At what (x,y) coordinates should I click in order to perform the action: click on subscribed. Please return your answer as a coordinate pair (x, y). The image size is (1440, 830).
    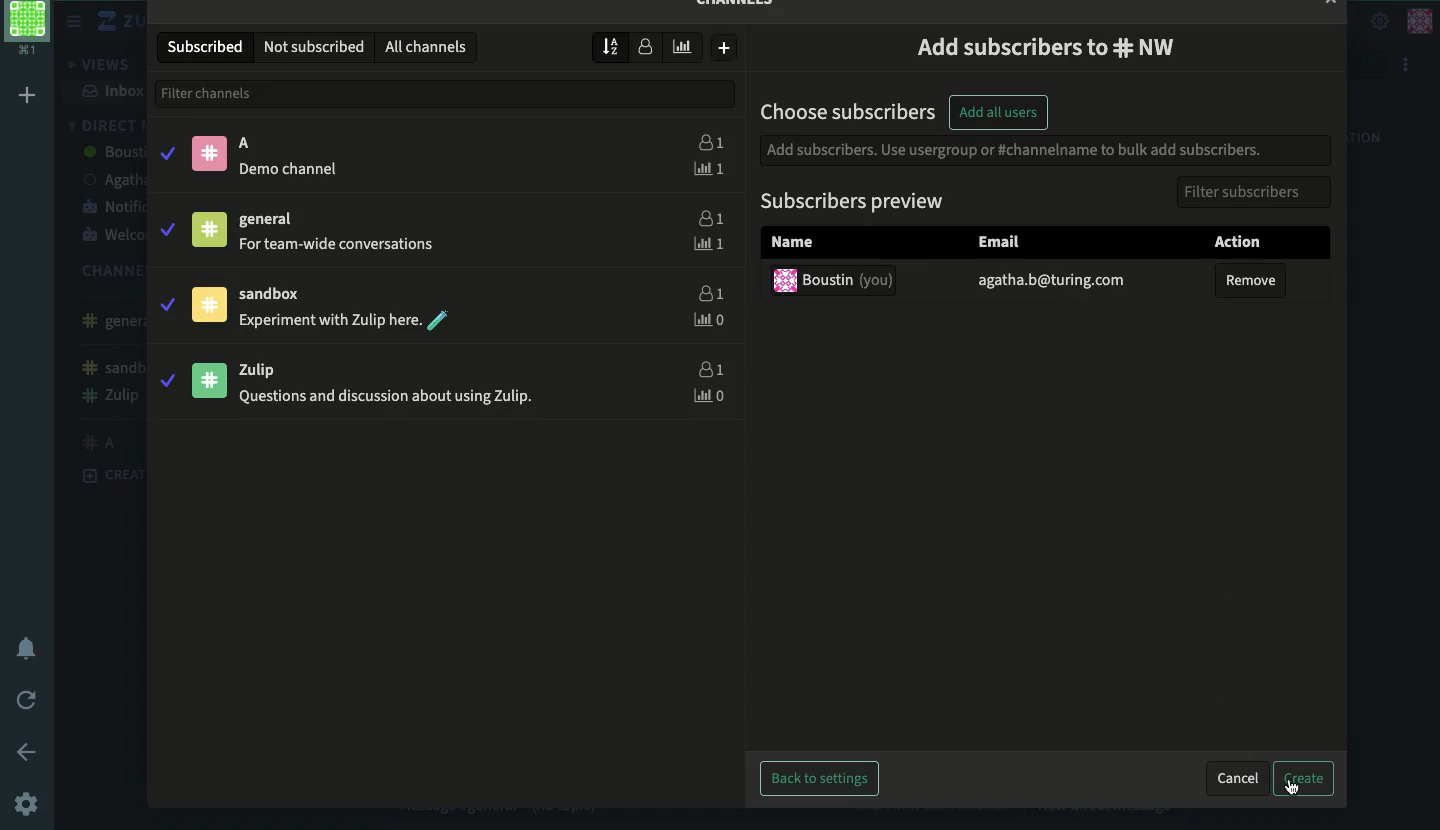
    Looking at the image, I should click on (207, 46).